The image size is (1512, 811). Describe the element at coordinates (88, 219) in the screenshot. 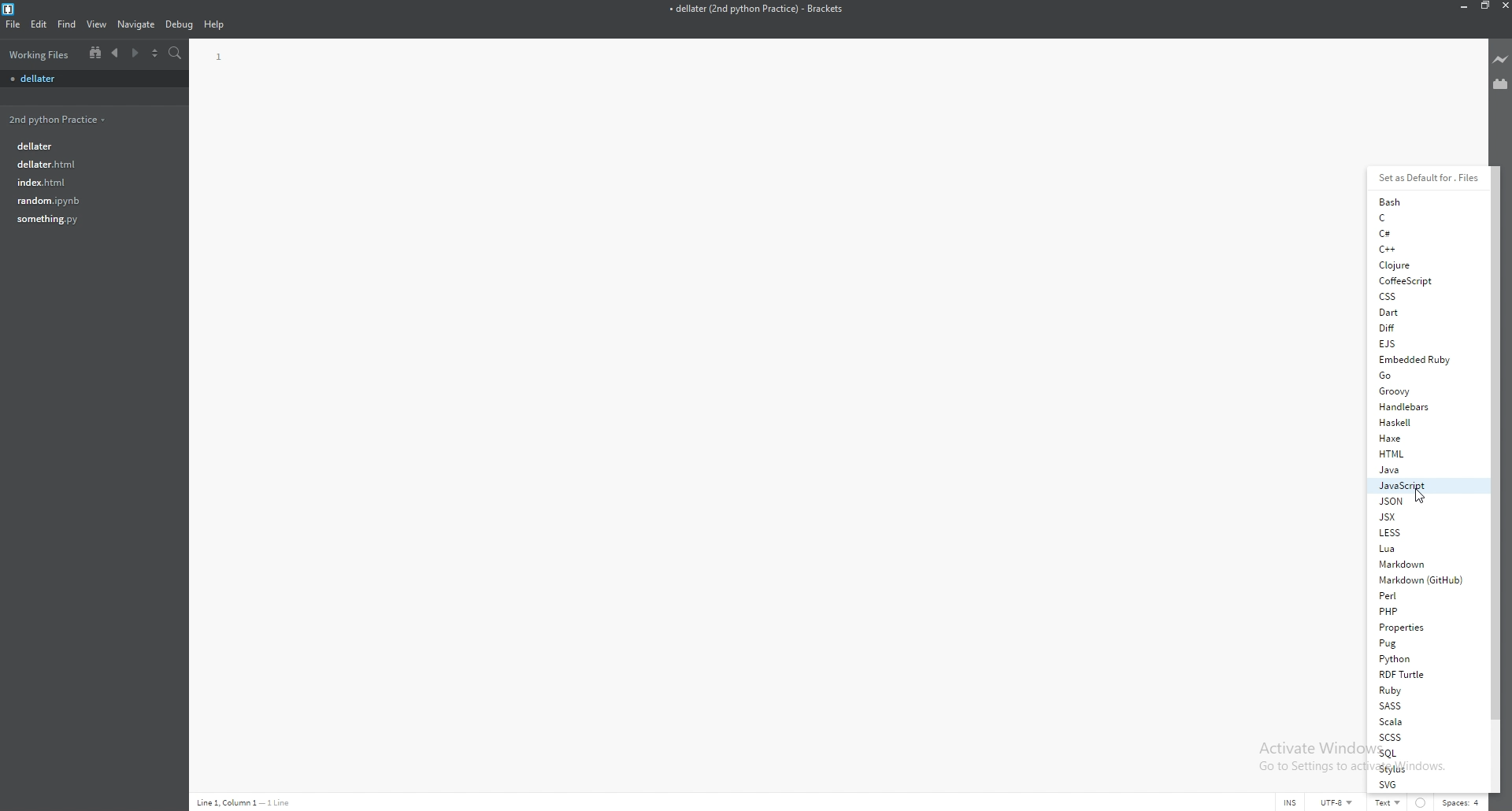

I see `file` at that location.